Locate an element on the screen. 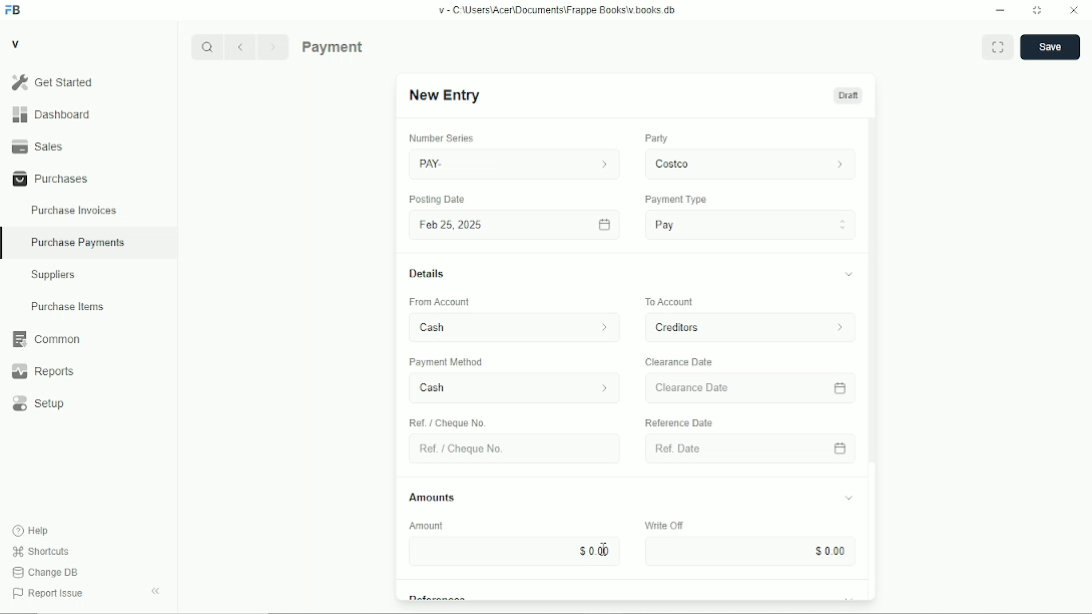 This screenshot has height=614, width=1092. Setup is located at coordinates (89, 403).